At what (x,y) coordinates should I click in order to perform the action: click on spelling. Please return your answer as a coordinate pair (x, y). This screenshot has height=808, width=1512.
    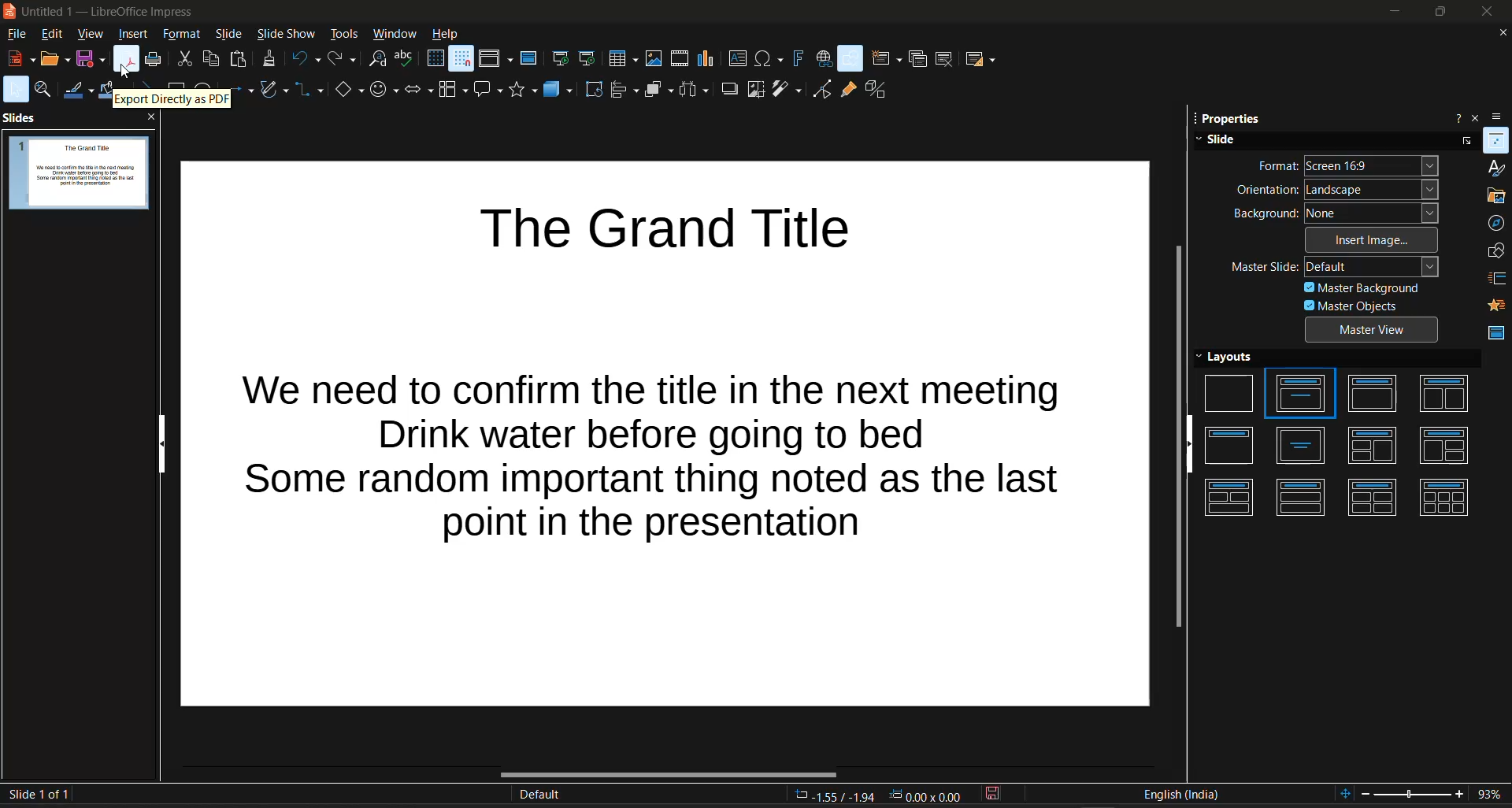
    Looking at the image, I should click on (406, 58).